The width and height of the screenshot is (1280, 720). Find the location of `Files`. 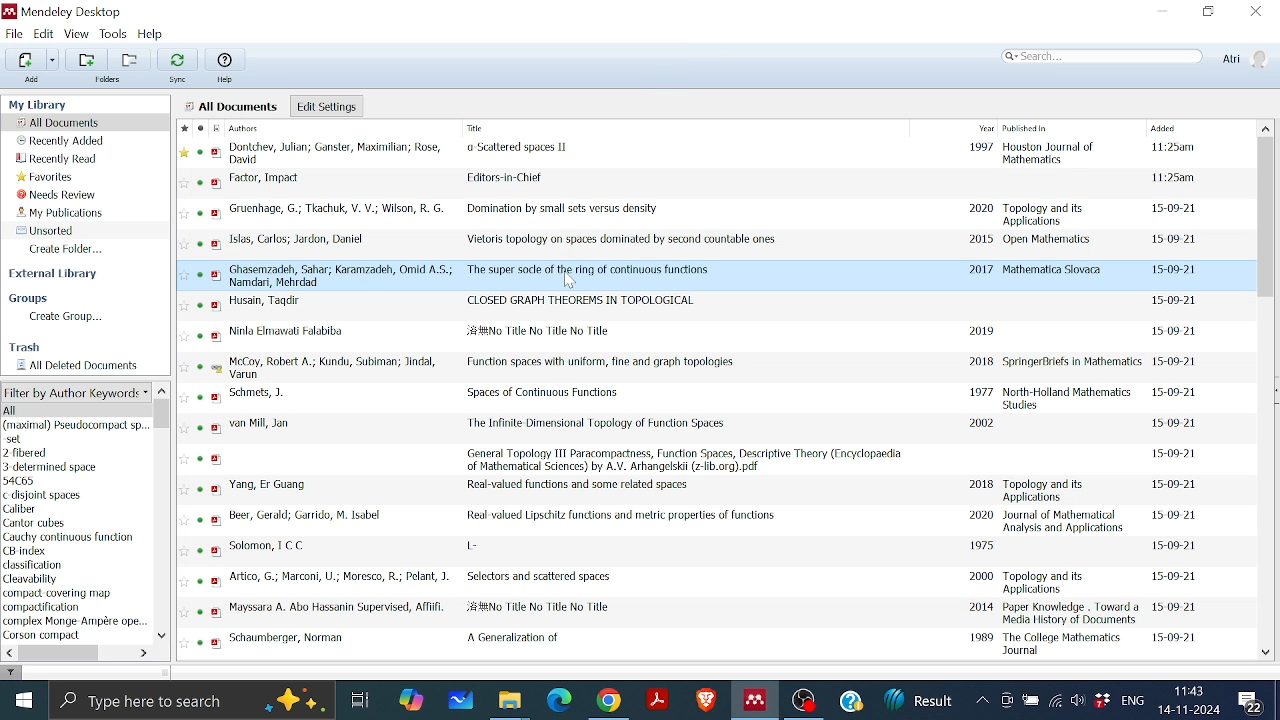

Files is located at coordinates (514, 701).